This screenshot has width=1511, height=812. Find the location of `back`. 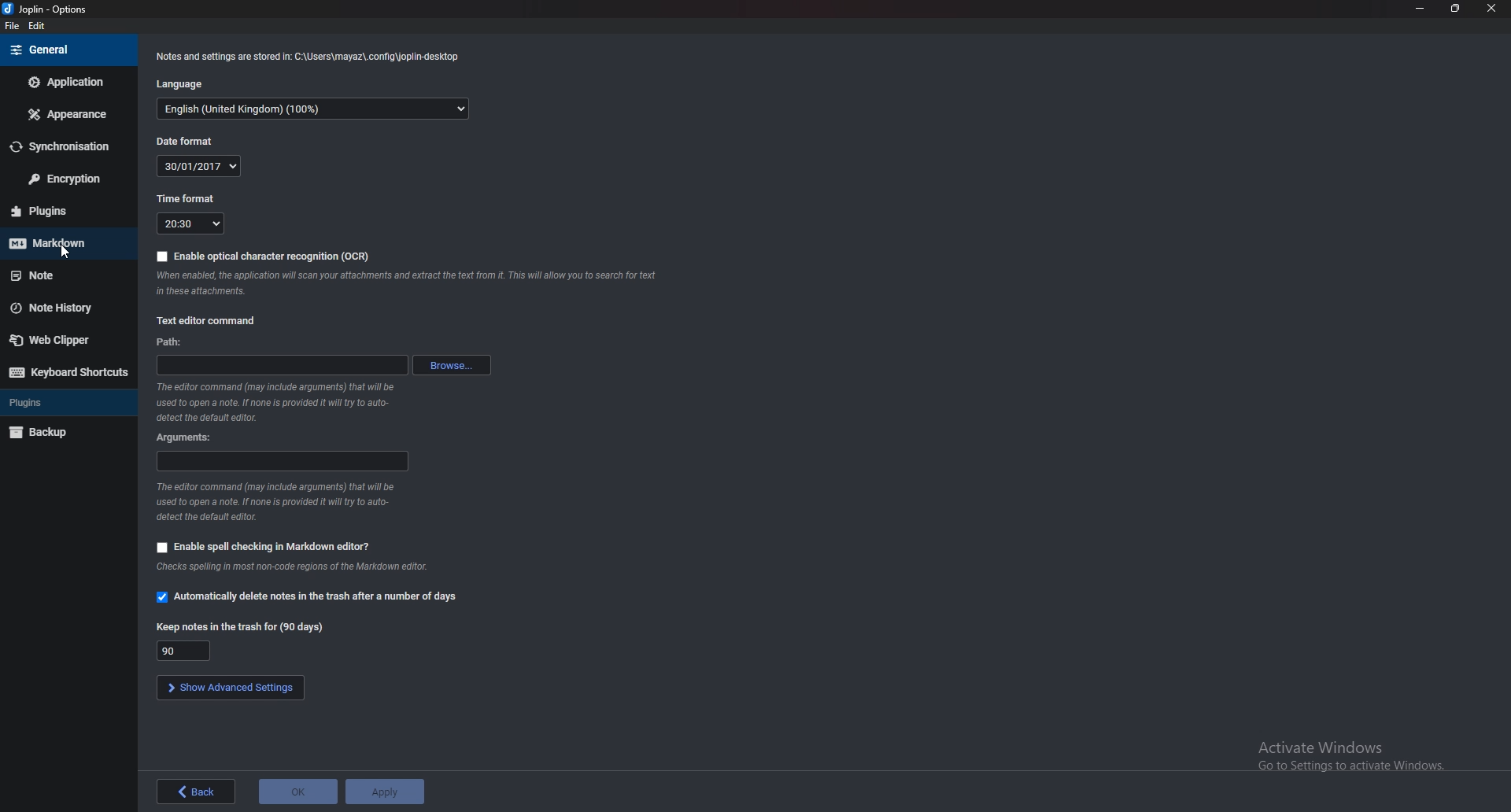

back is located at coordinates (197, 792).